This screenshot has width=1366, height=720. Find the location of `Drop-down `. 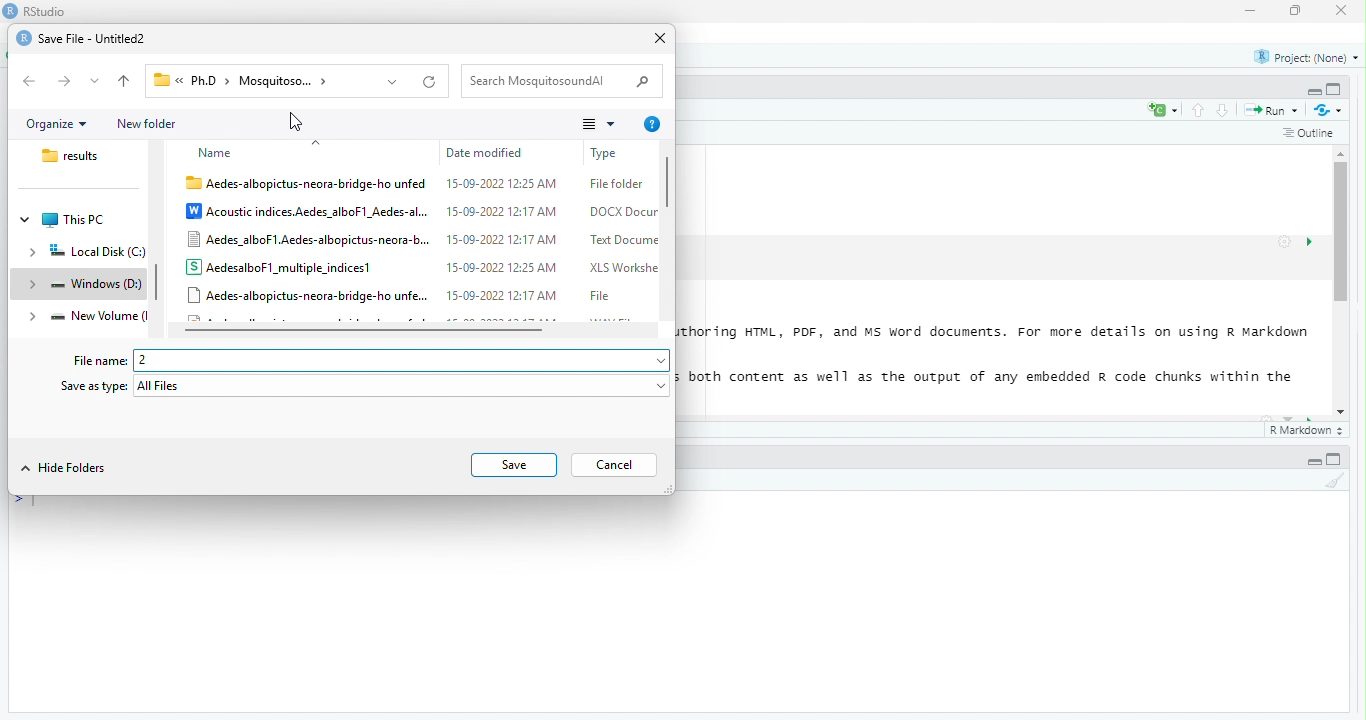

Drop-down  is located at coordinates (393, 83).